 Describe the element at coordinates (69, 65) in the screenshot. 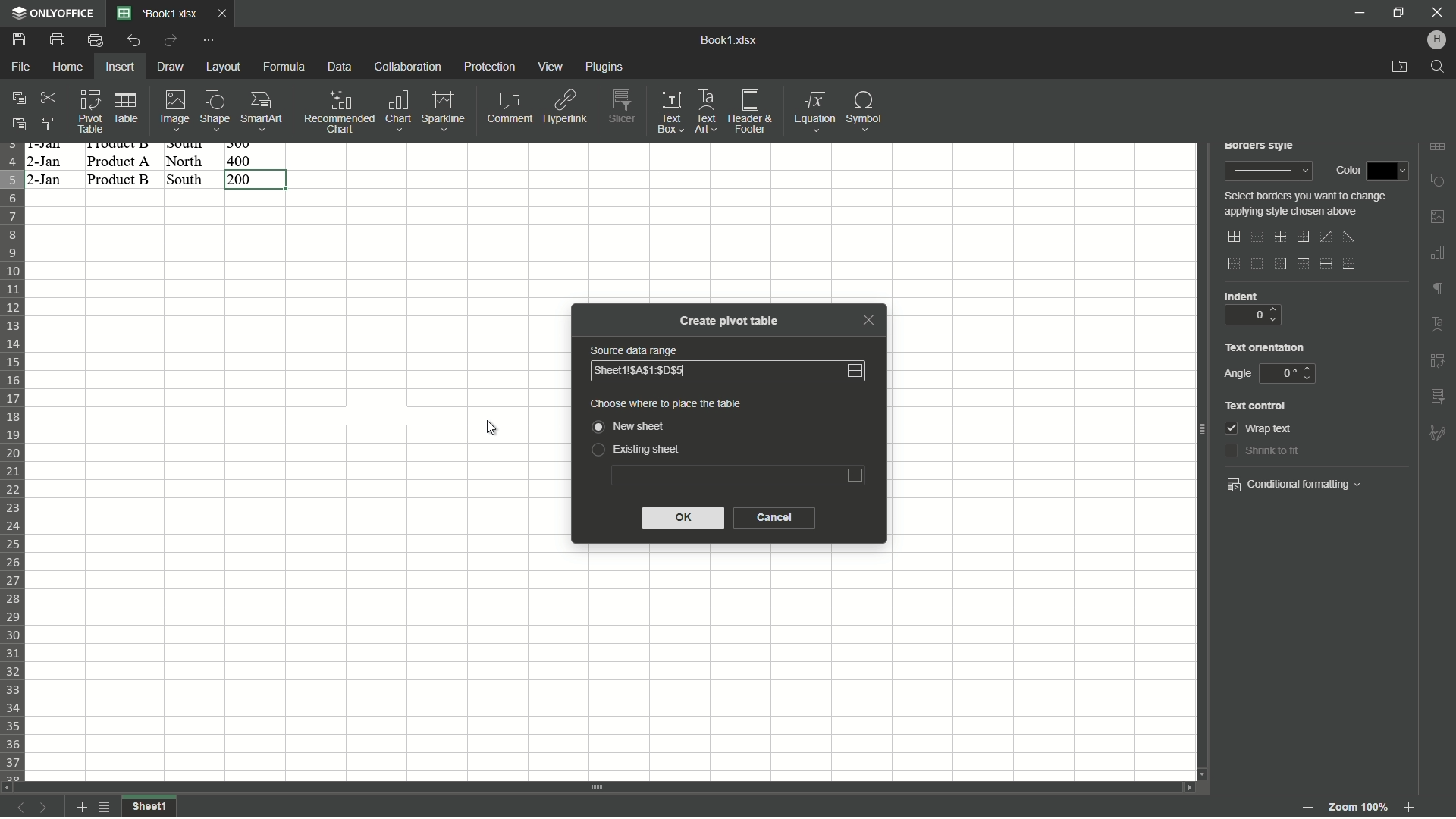

I see `Home` at that location.